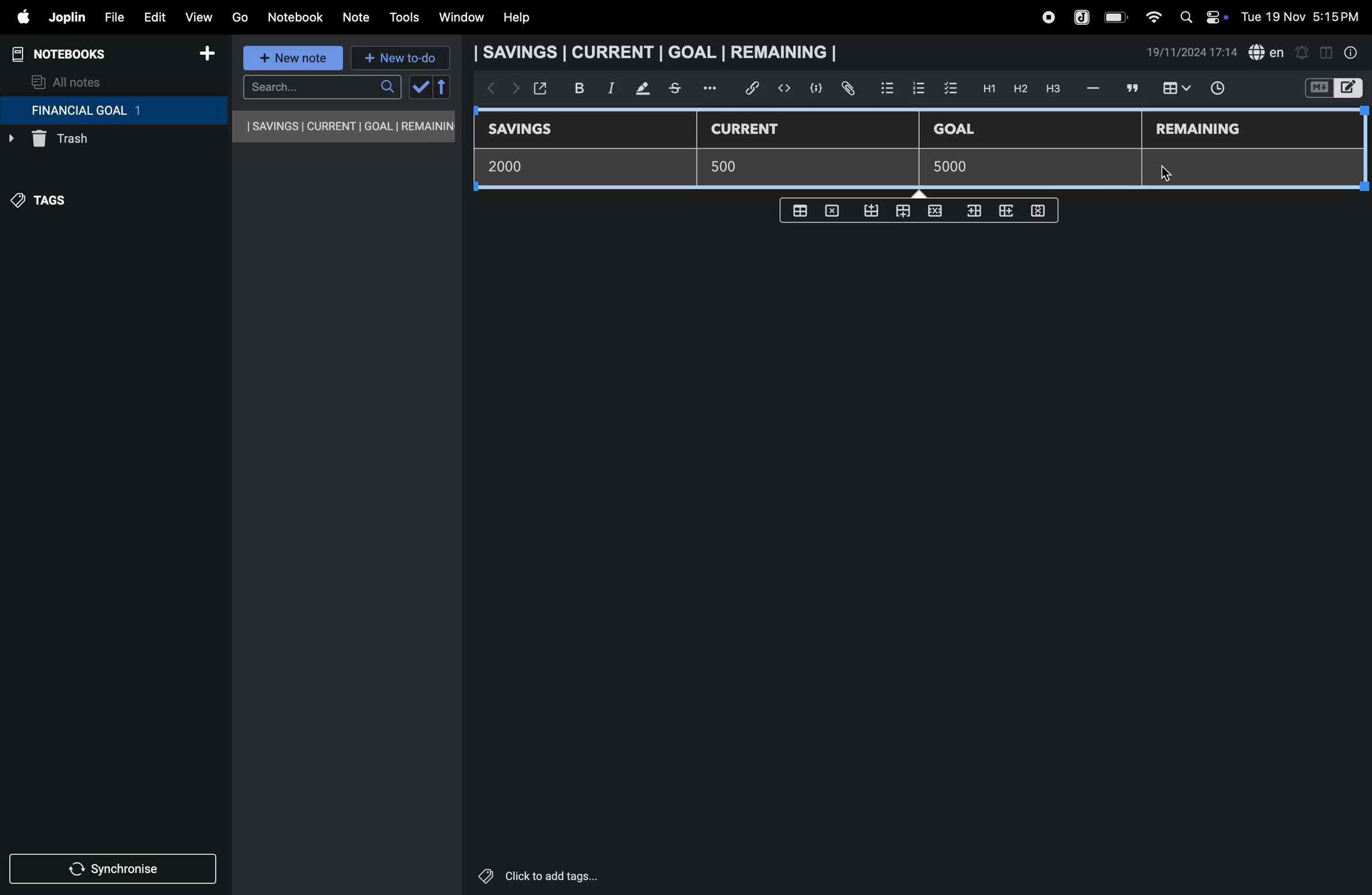 The width and height of the screenshot is (1372, 895). What do you see at coordinates (731, 167) in the screenshot?
I see `500` at bounding box center [731, 167].